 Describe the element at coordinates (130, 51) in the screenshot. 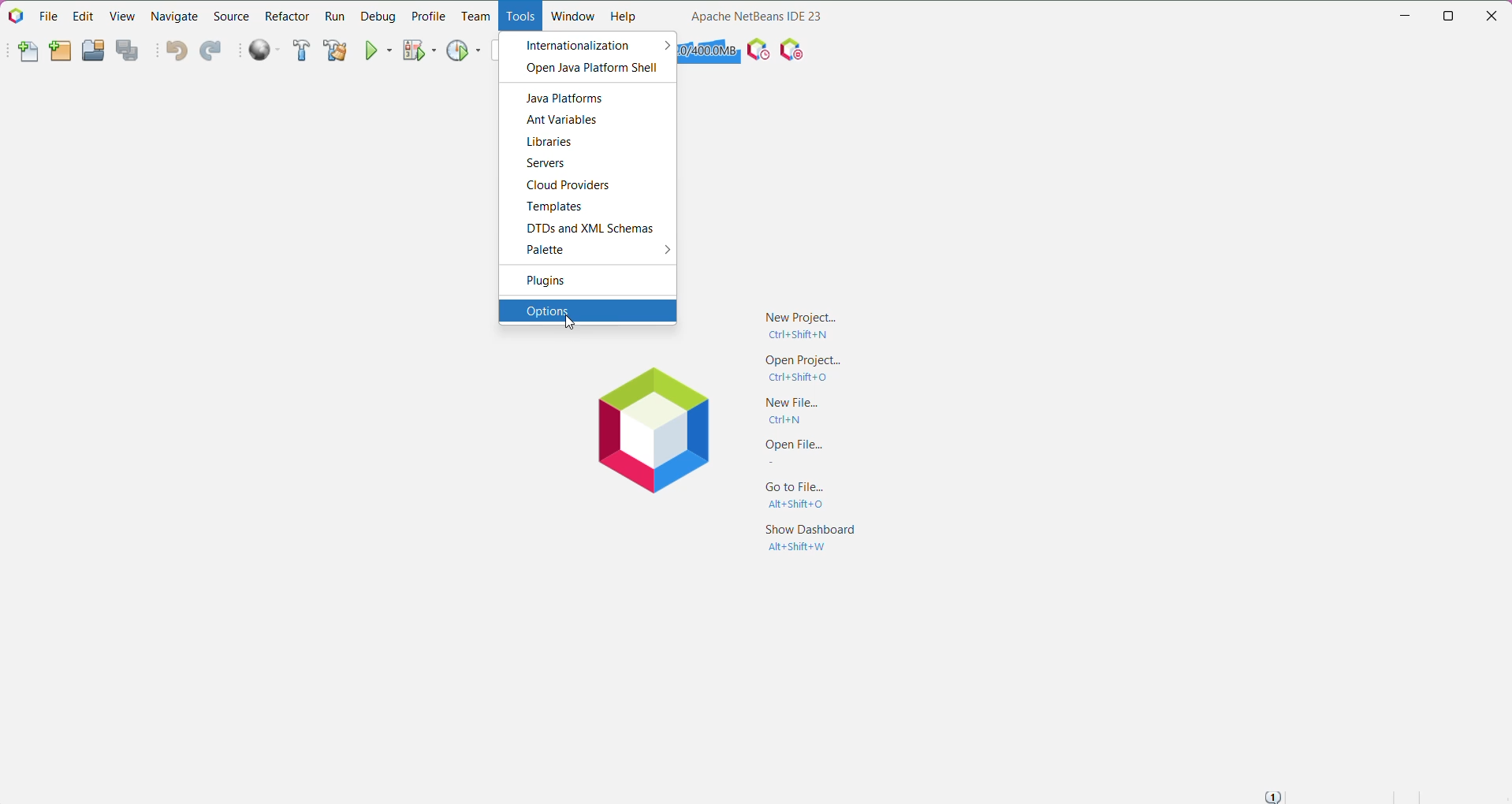

I see `Save All` at that location.